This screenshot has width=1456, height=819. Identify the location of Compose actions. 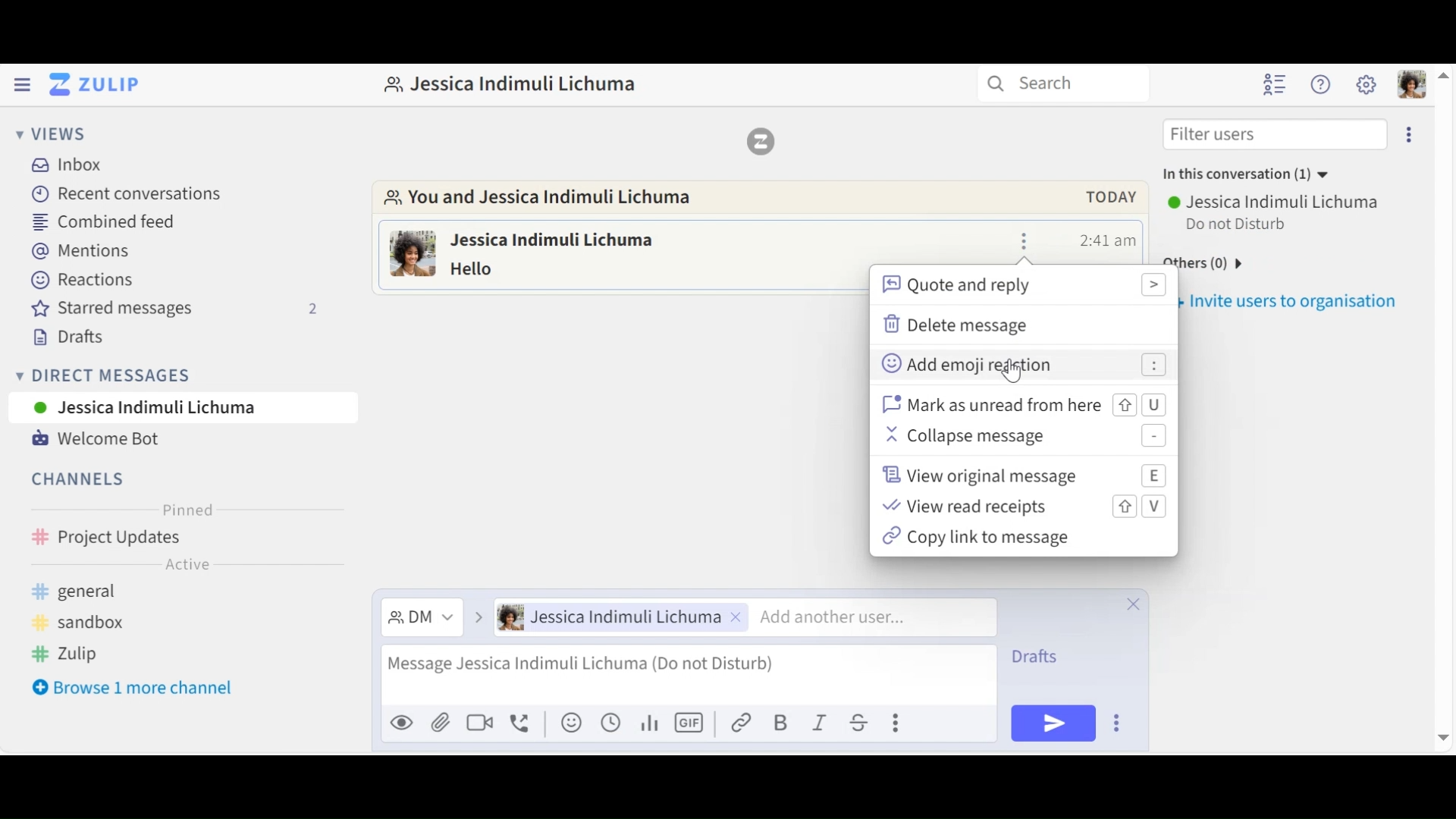
(899, 721).